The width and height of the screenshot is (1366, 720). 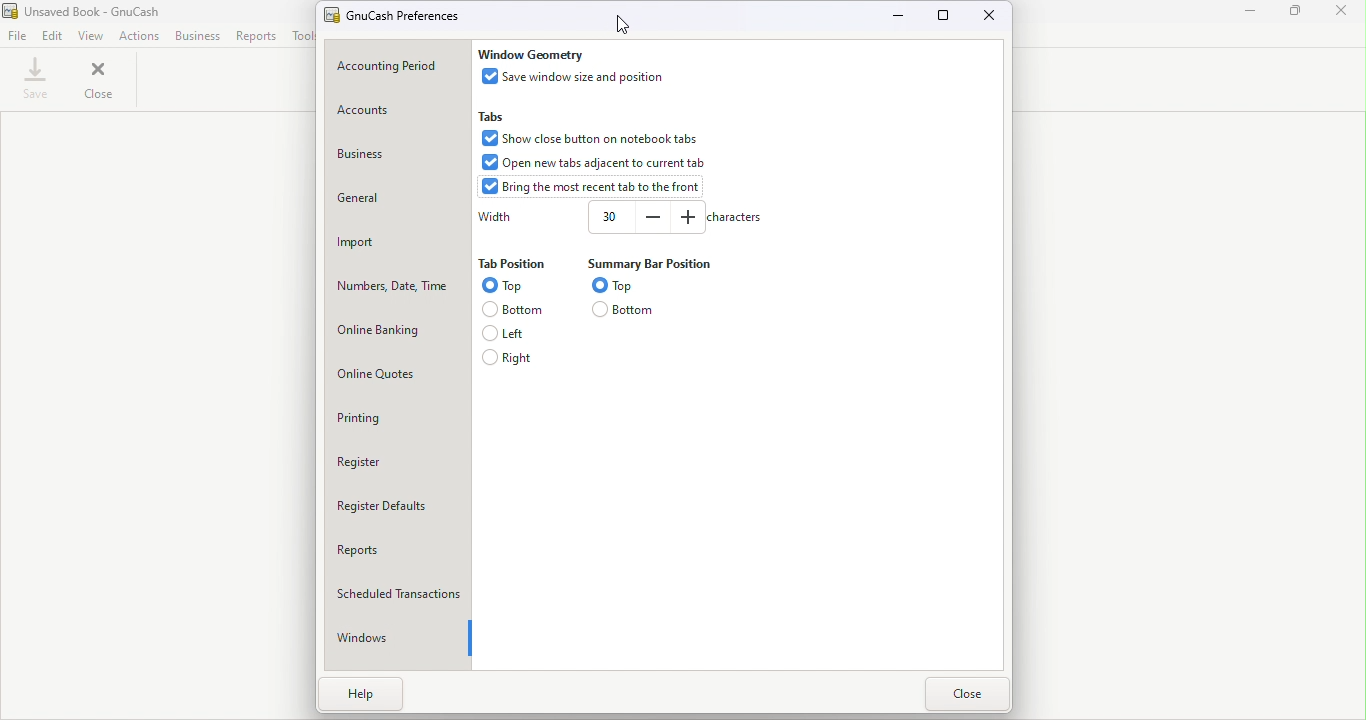 I want to click on Register, so click(x=398, y=460).